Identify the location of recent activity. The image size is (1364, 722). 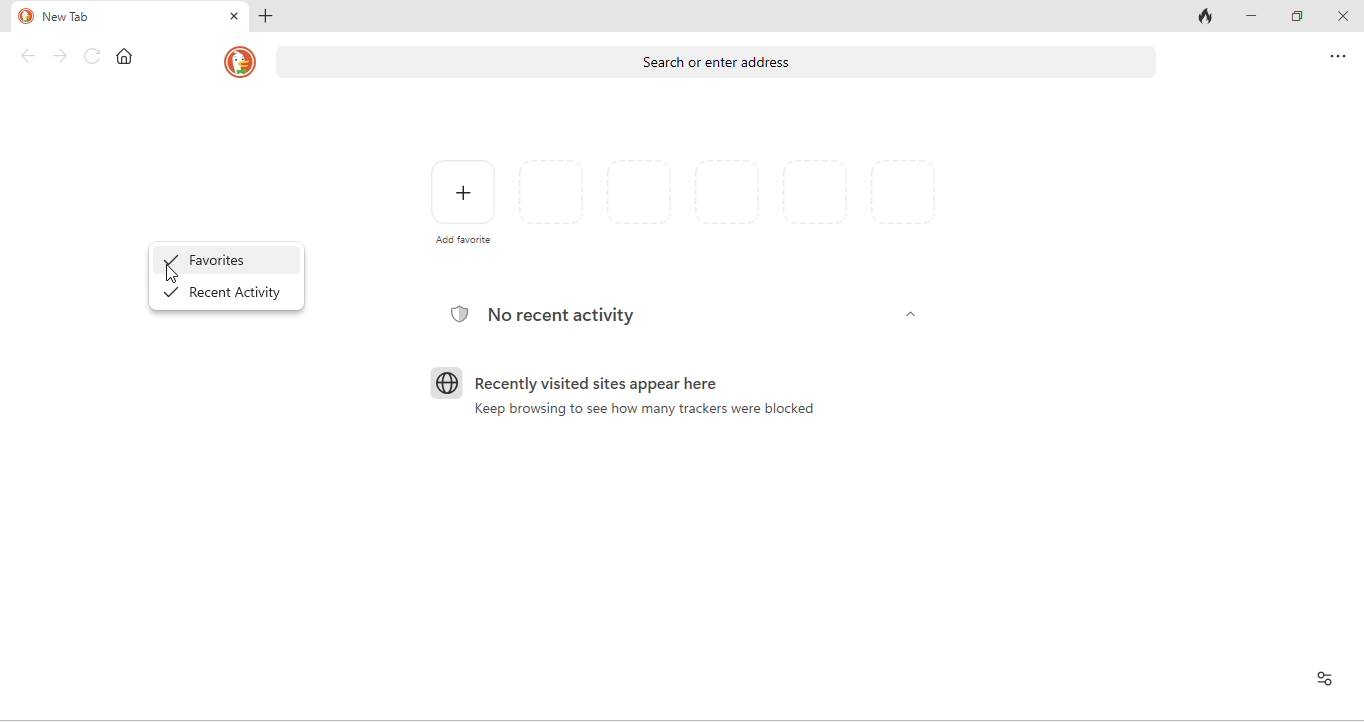
(239, 296).